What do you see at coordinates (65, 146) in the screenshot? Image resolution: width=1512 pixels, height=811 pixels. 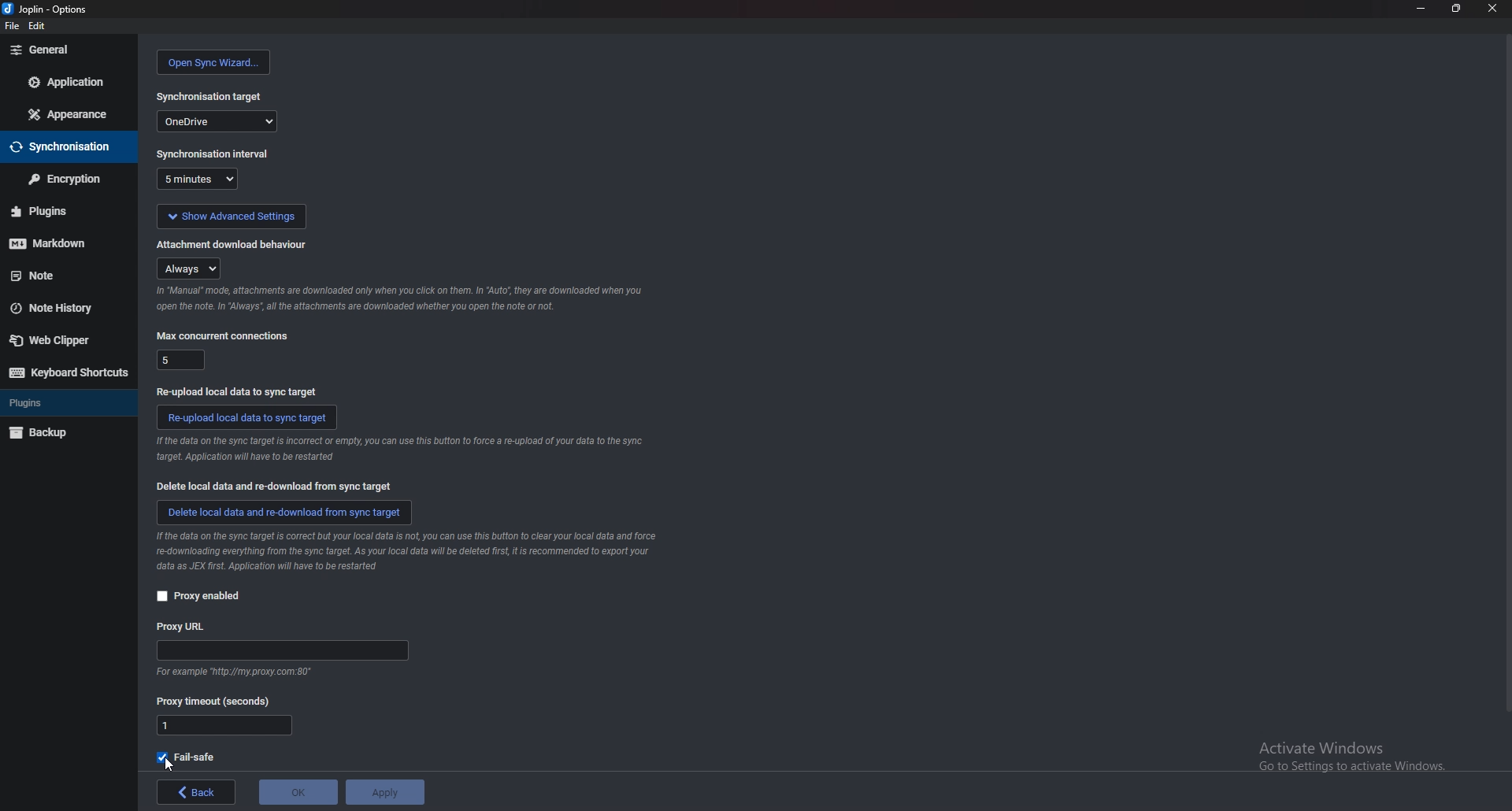 I see `sync` at bounding box center [65, 146].